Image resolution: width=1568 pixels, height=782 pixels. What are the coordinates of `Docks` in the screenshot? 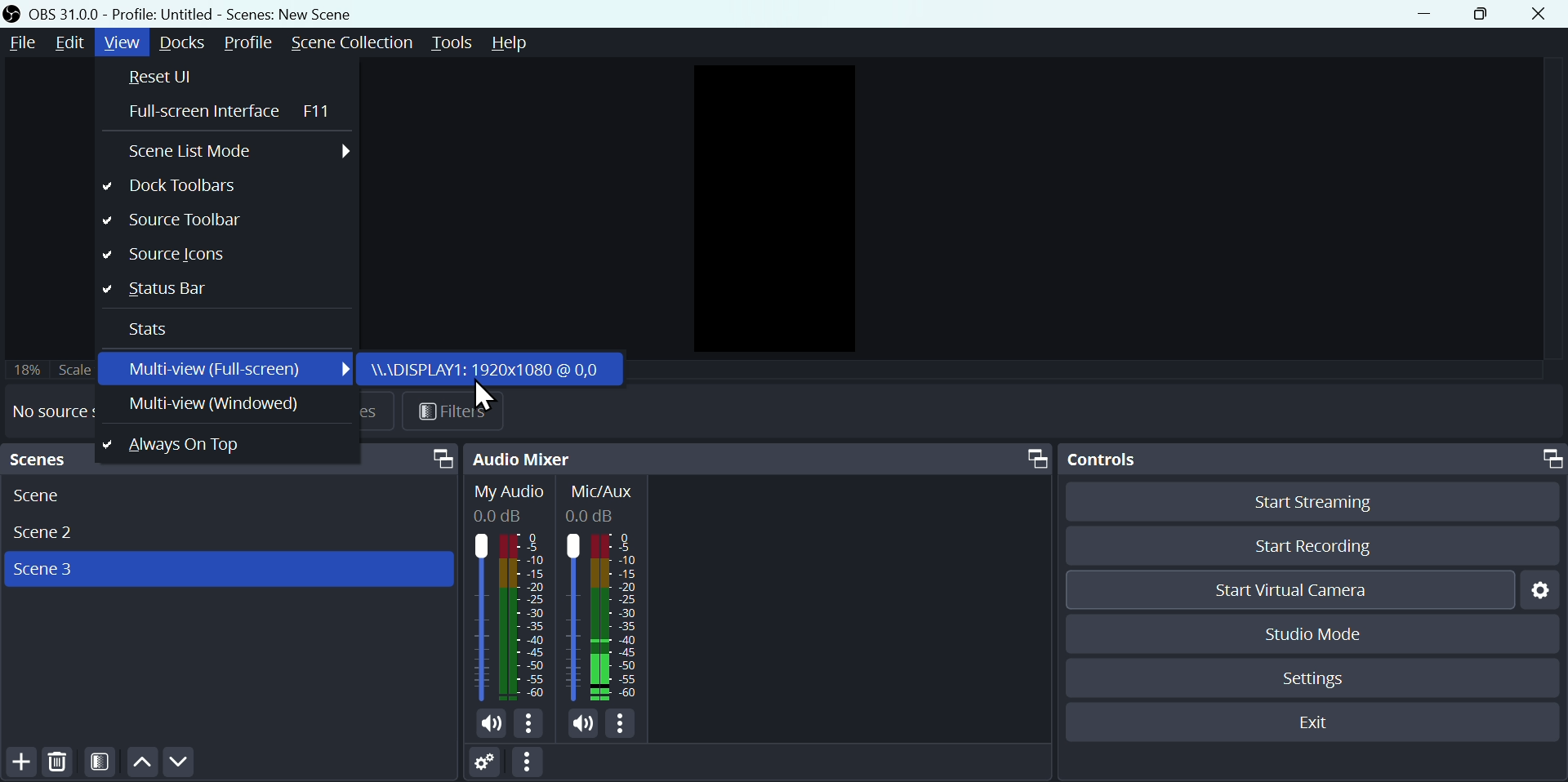 It's located at (186, 43).